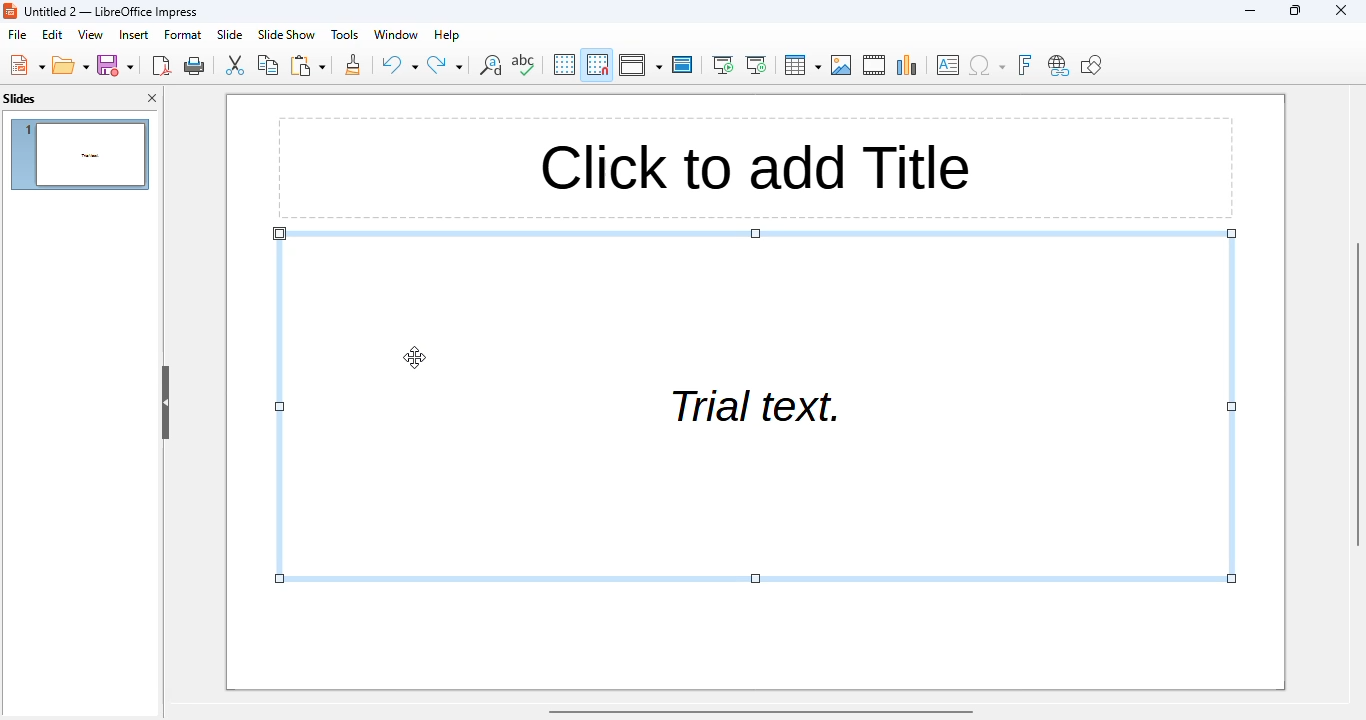 The image size is (1366, 720). Describe the element at coordinates (565, 64) in the screenshot. I see `display grid` at that location.